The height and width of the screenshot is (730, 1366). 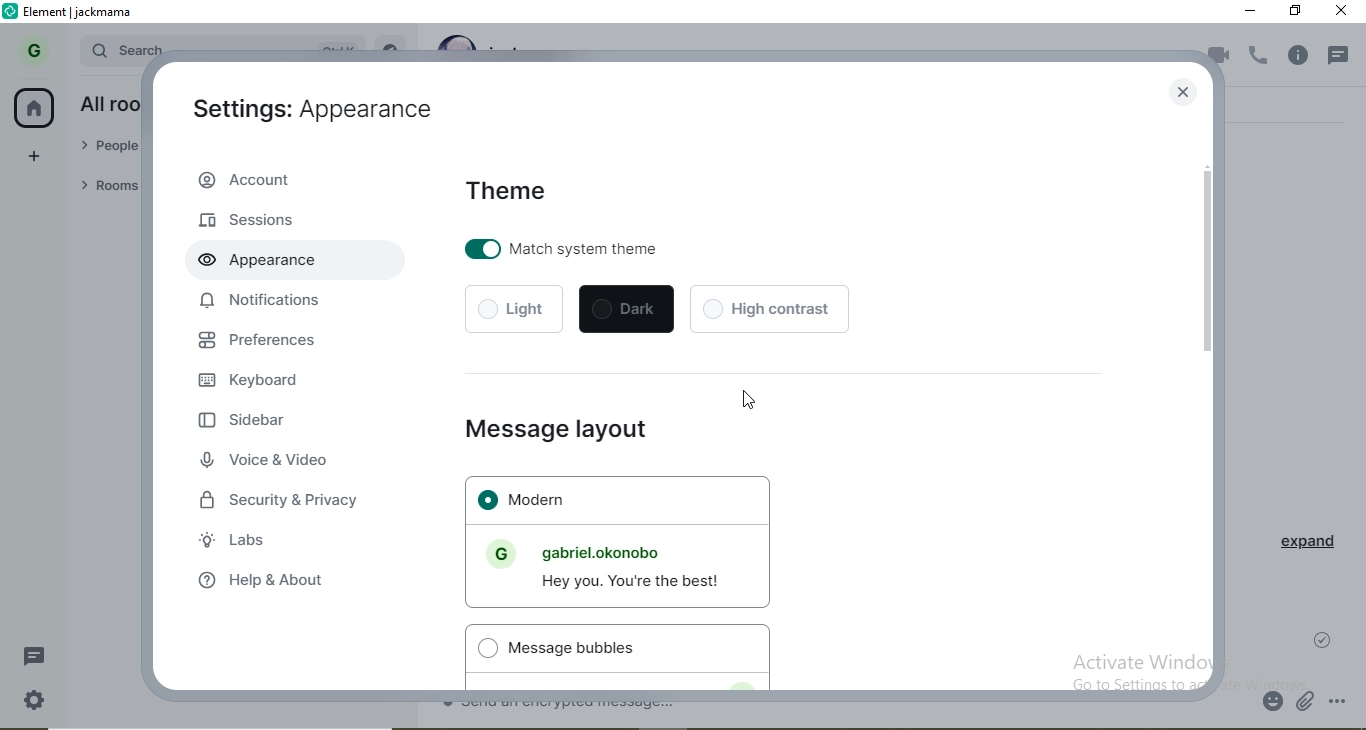 What do you see at coordinates (238, 538) in the screenshot?
I see `labs` at bounding box center [238, 538].